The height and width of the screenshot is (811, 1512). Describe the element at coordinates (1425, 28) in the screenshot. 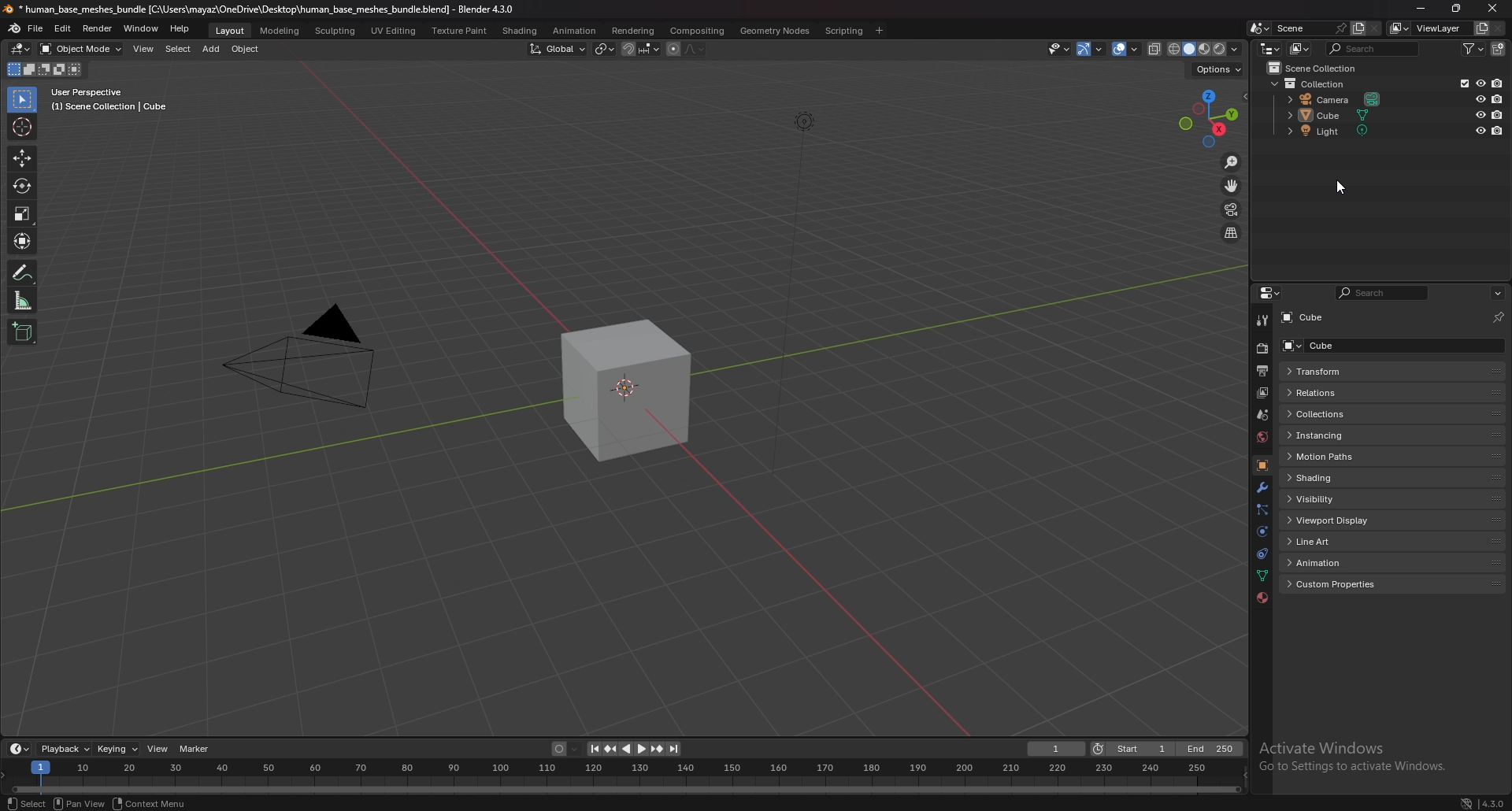

I see `view layer` at that location.